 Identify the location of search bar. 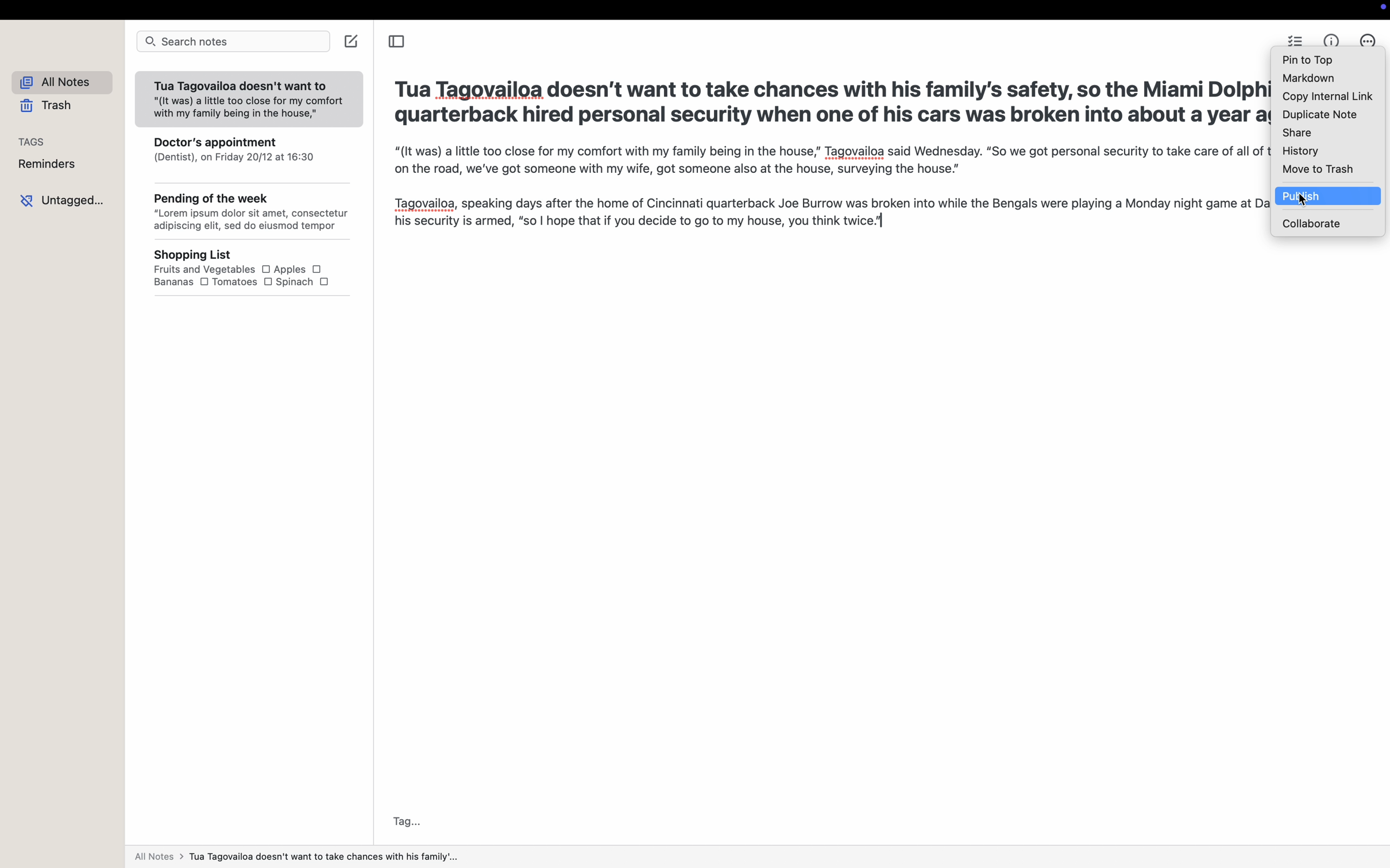
(233, 42).